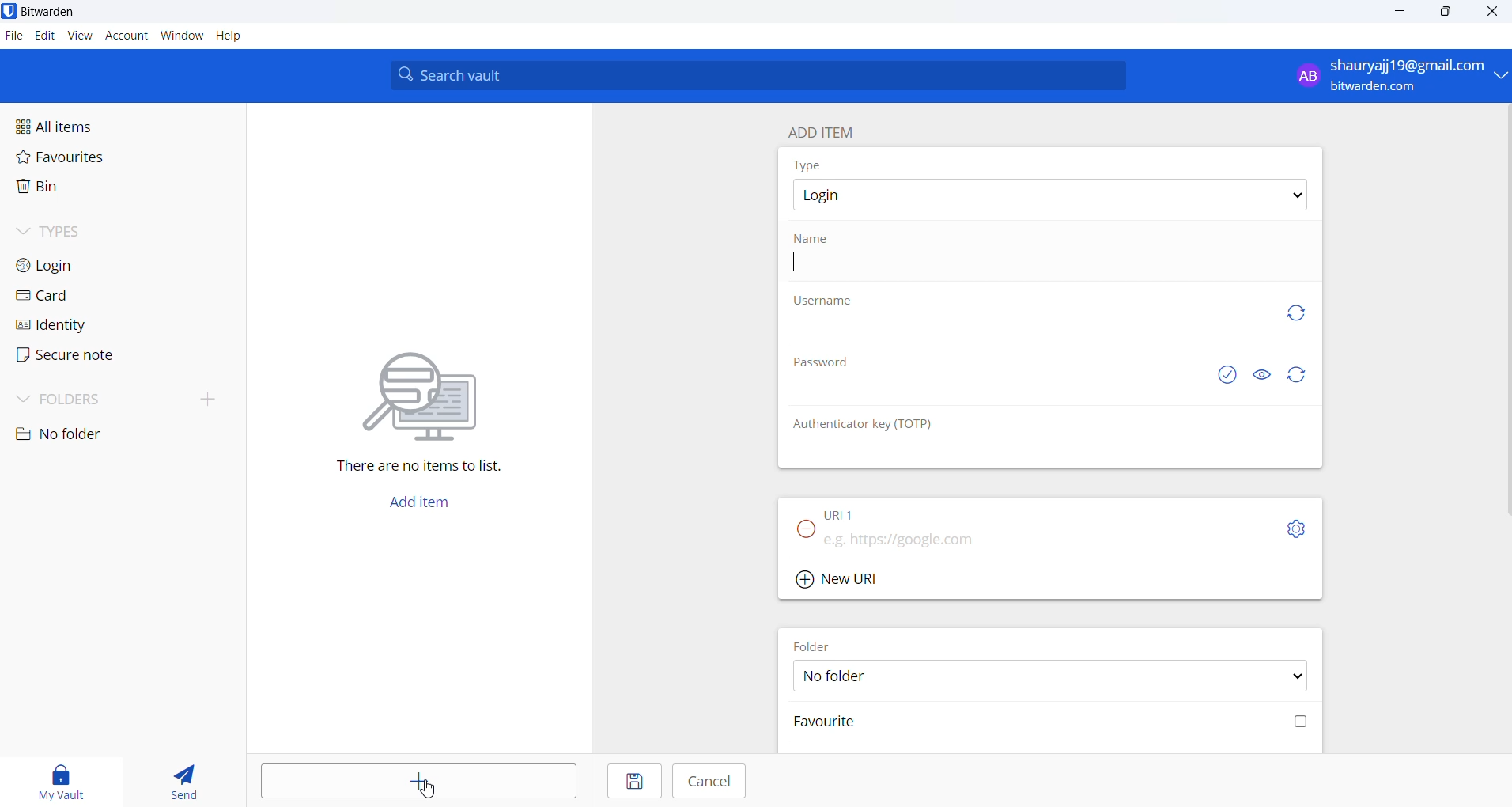  Describe the element at coordinates (421, 782) in the screenshot. I see `add entry` at that location.